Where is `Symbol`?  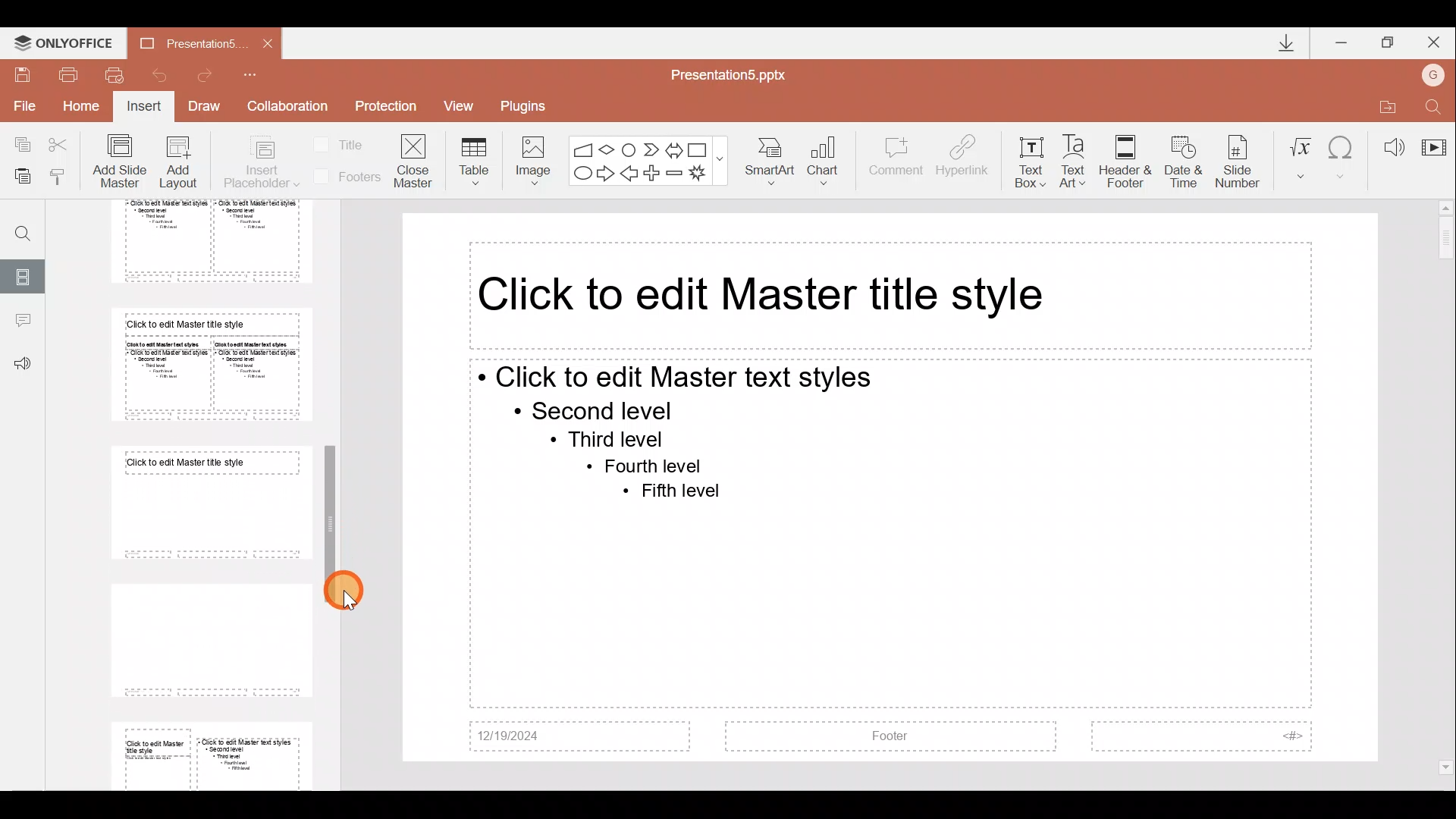
Symbol is located at coordinates (1343, 155).